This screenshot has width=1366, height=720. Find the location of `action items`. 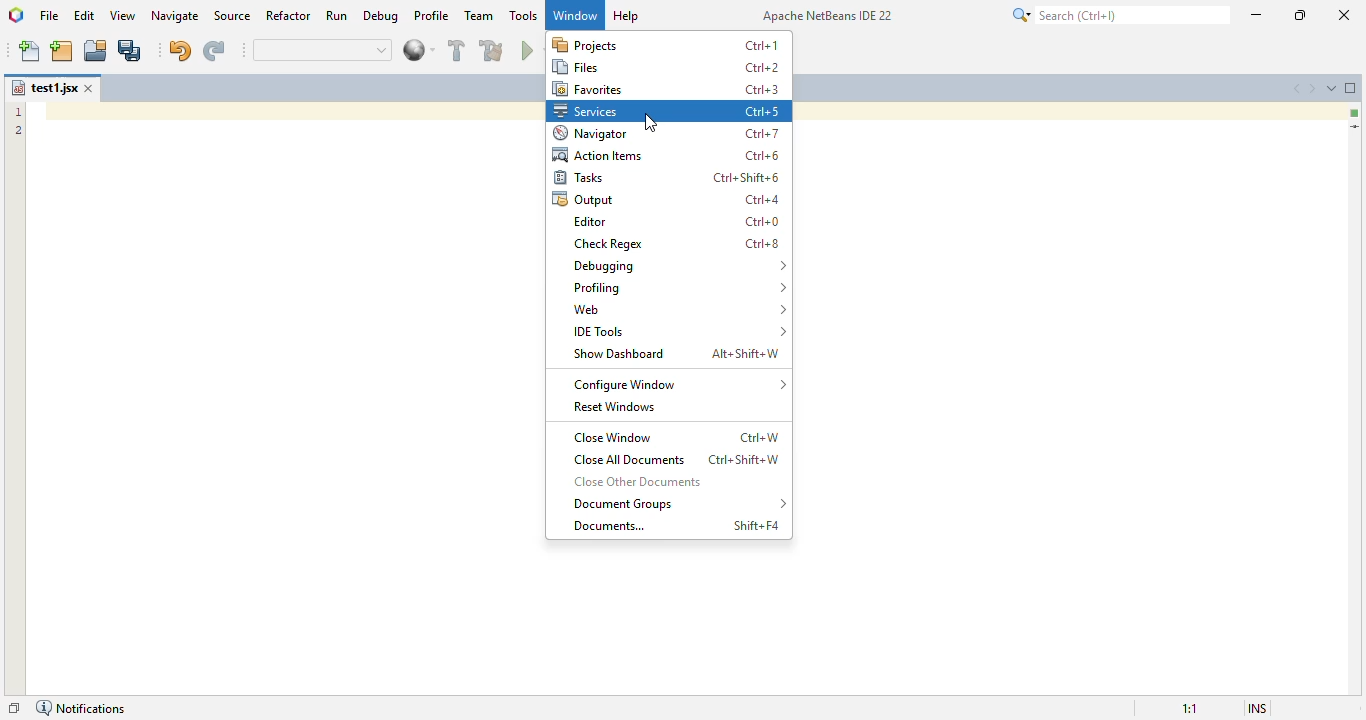

action items is located at coordinates (598, 155).